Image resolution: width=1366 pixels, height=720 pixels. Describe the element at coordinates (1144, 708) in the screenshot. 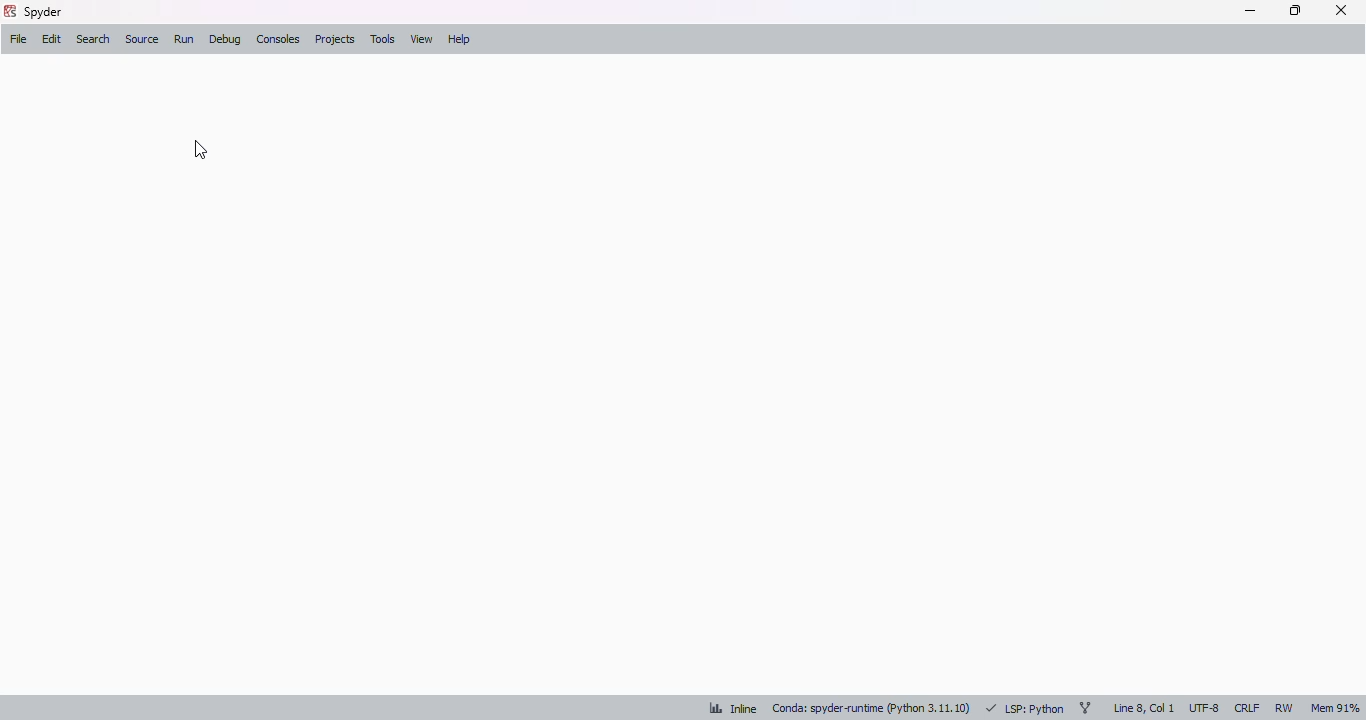

I see `line 8, col 1` at that location.